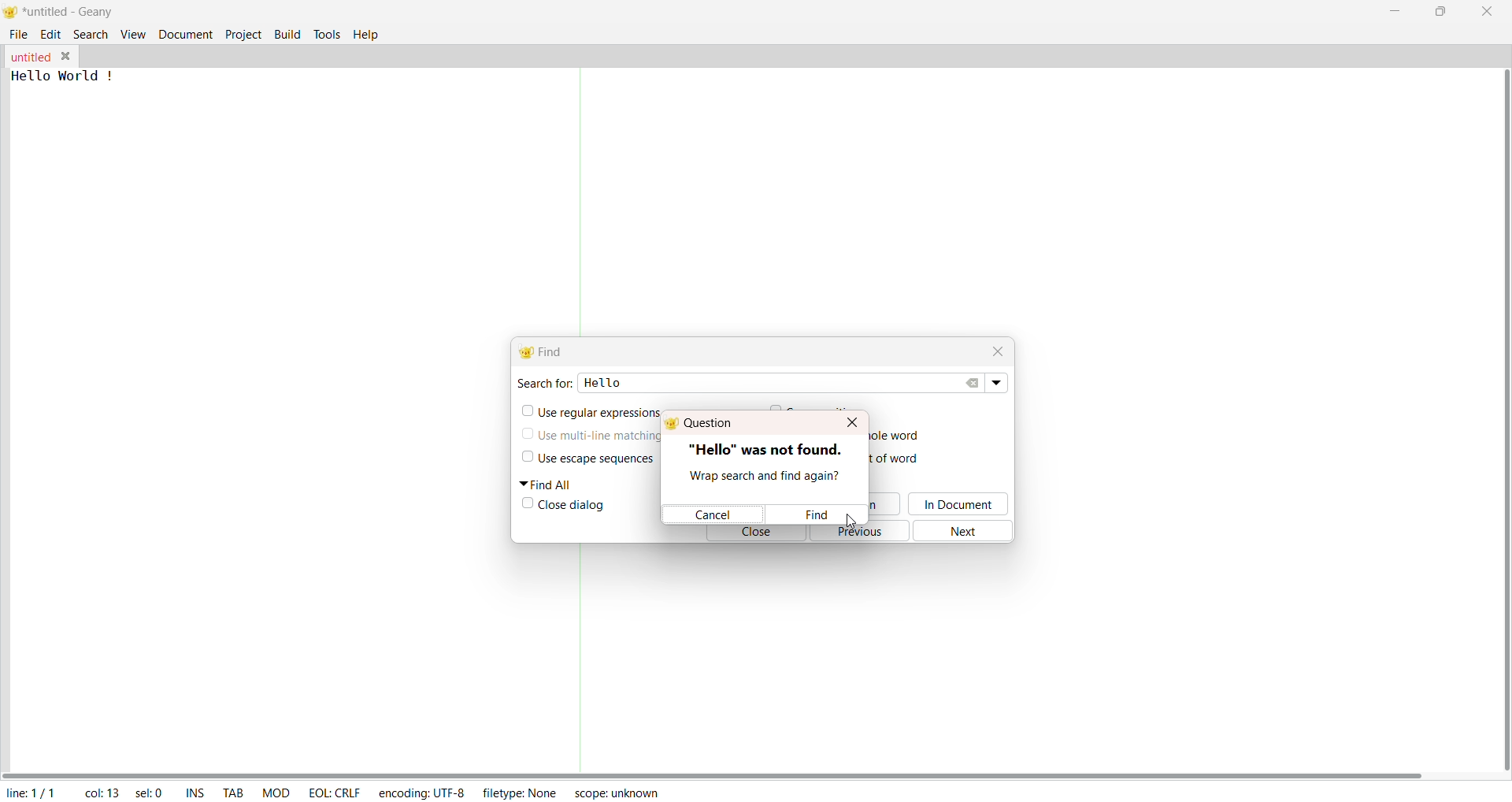  What do you see at coordinates (276, 791) in the screenshot?
I see `MOD` at bounding box center [276, 791].